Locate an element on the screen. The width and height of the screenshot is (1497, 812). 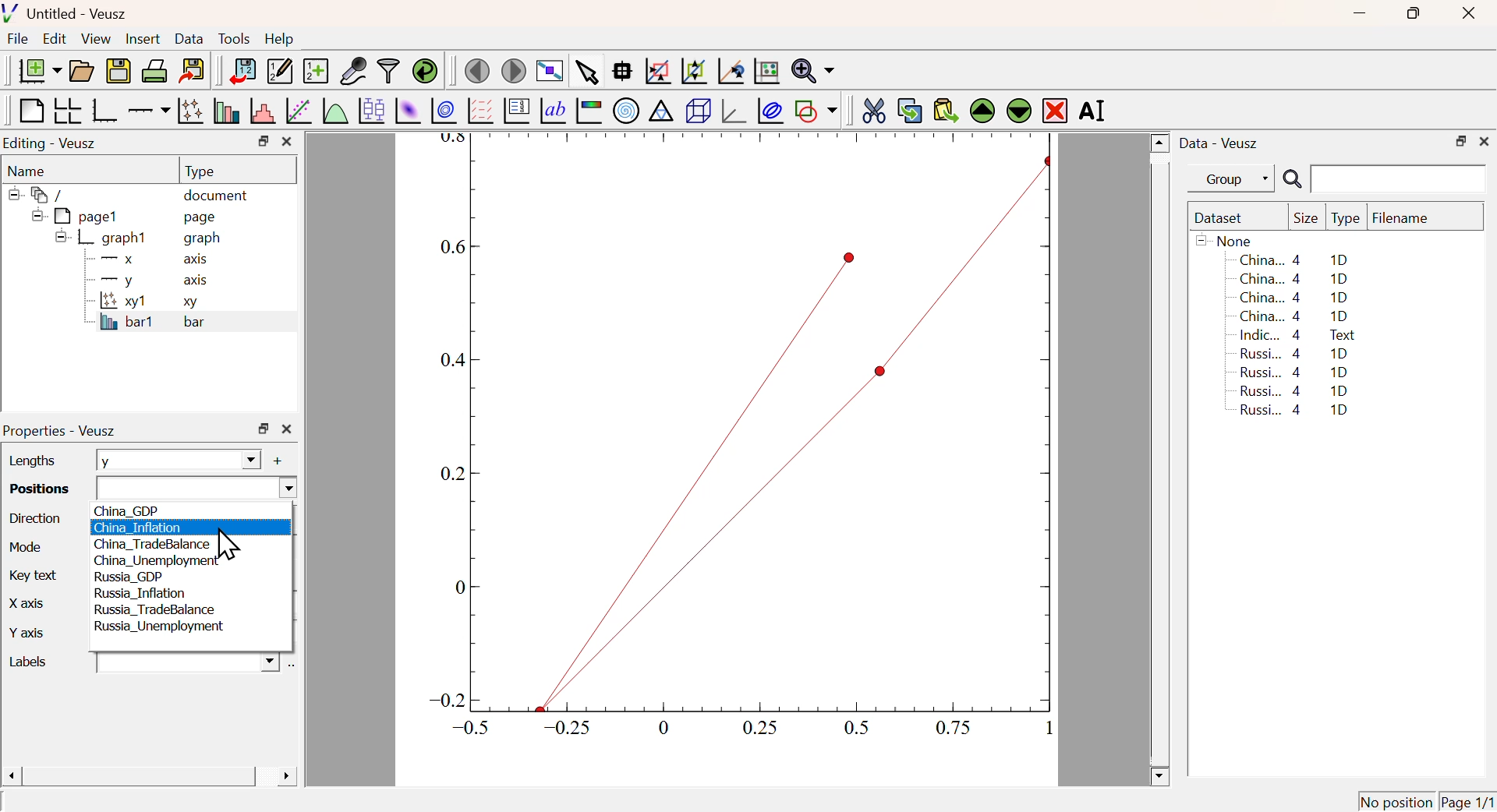
page is located at coordinates (203, 217).